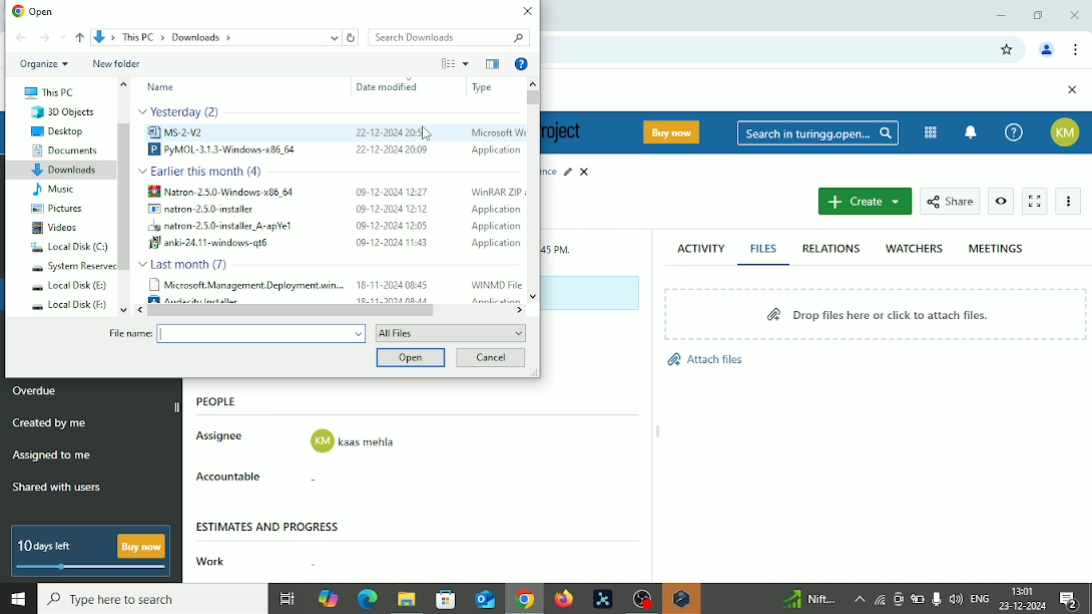 The width and height of the screenshot is (1092, 614). Describe the element at coordinates (37, 391) in the screenshot. I see `Overdue` at that location.